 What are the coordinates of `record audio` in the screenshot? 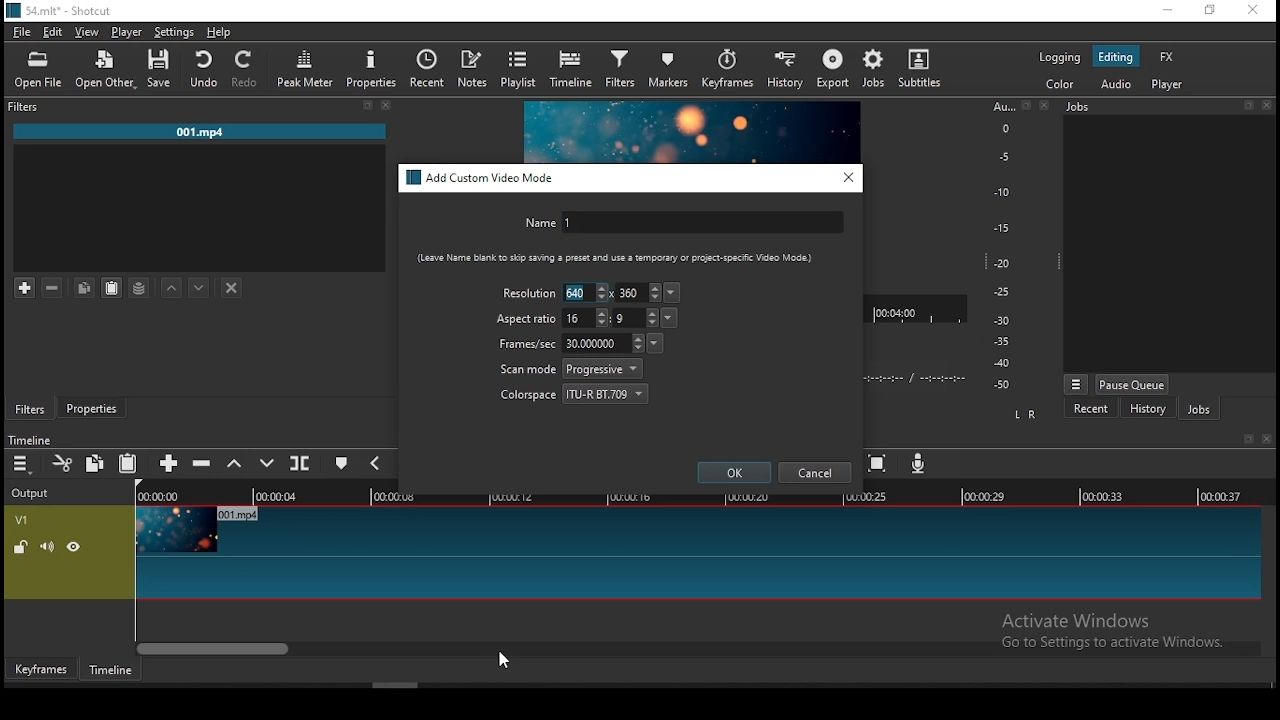 It's located at (919, 463).